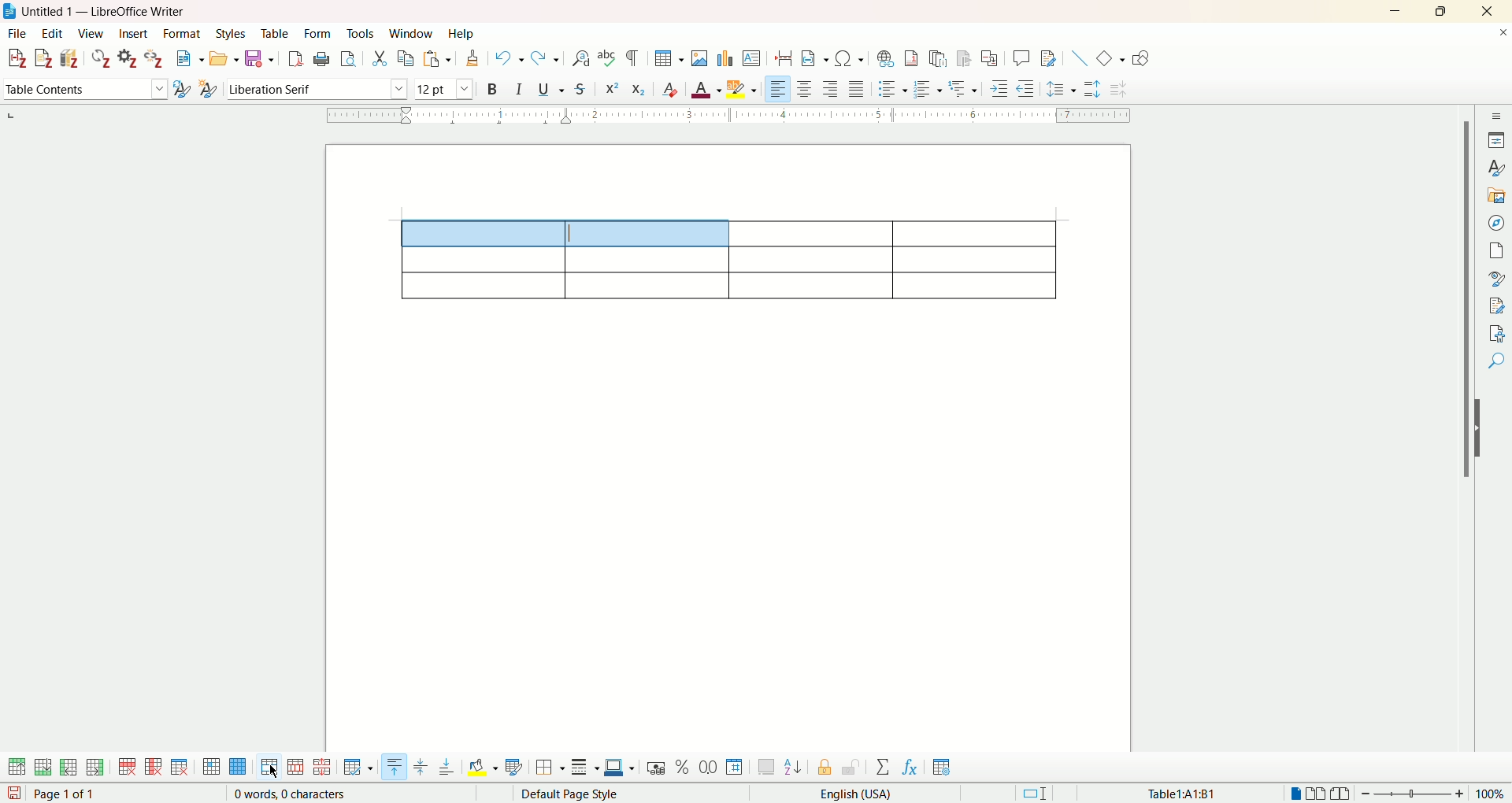 This screenshot has width=1512, height=803. Describe the element at coordinates (437, 58) in the screenshot. I see `paste` at that location.